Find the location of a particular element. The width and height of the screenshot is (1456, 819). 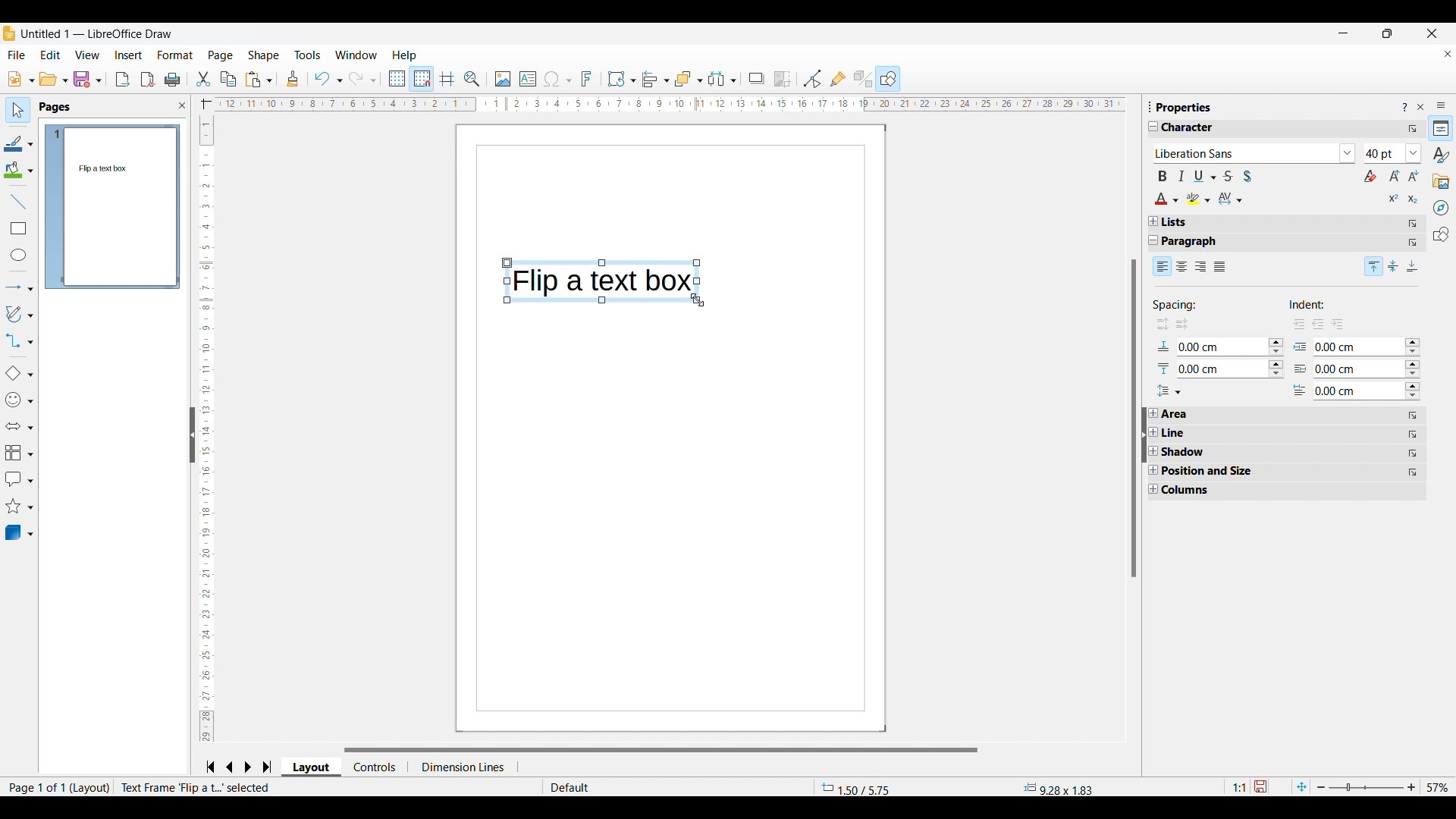

Jump to last slide is located at coordinates (268, 767).